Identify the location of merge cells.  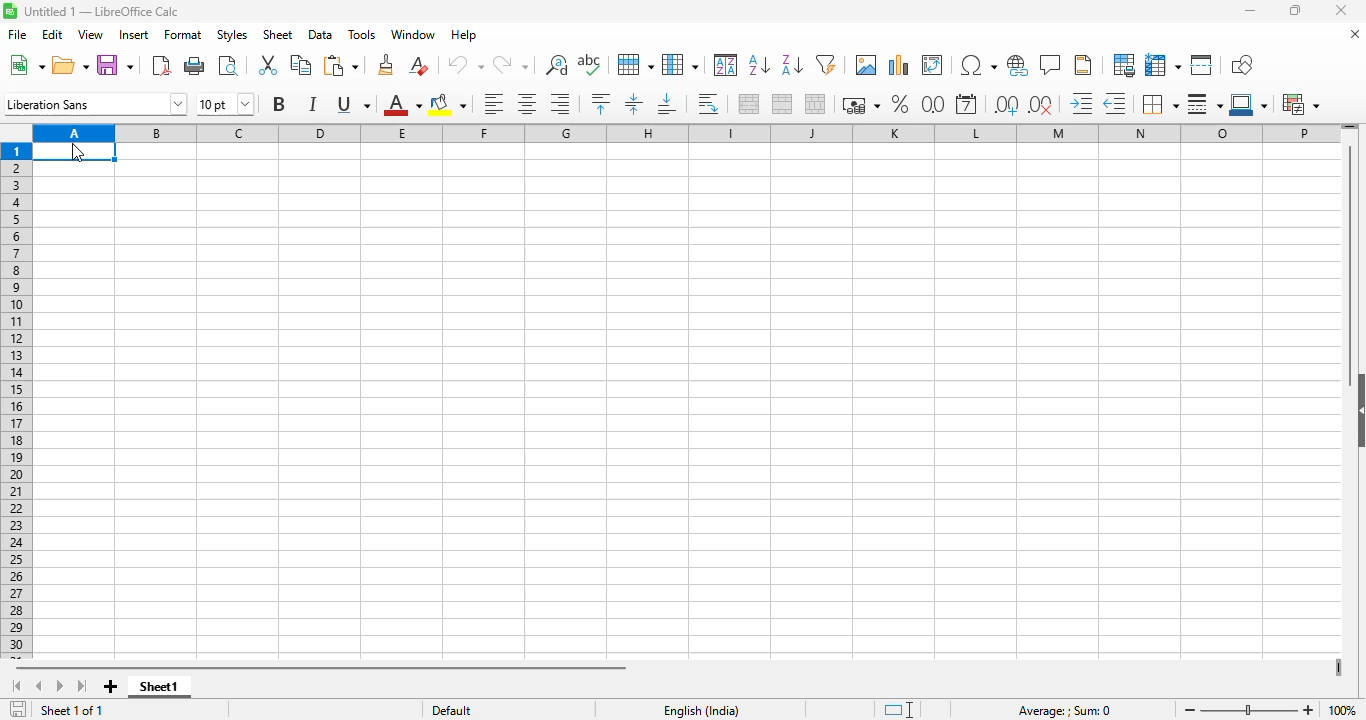
(783, 104).